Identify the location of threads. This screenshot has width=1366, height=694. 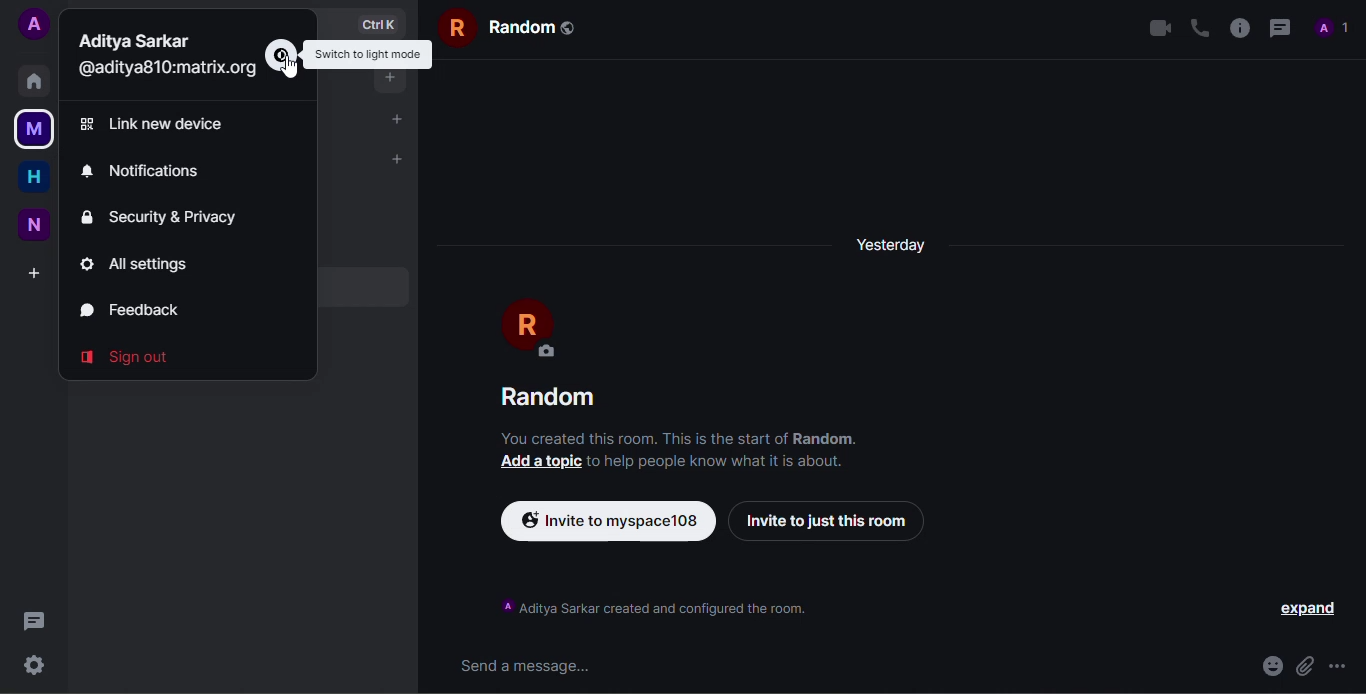
(1278, 25).